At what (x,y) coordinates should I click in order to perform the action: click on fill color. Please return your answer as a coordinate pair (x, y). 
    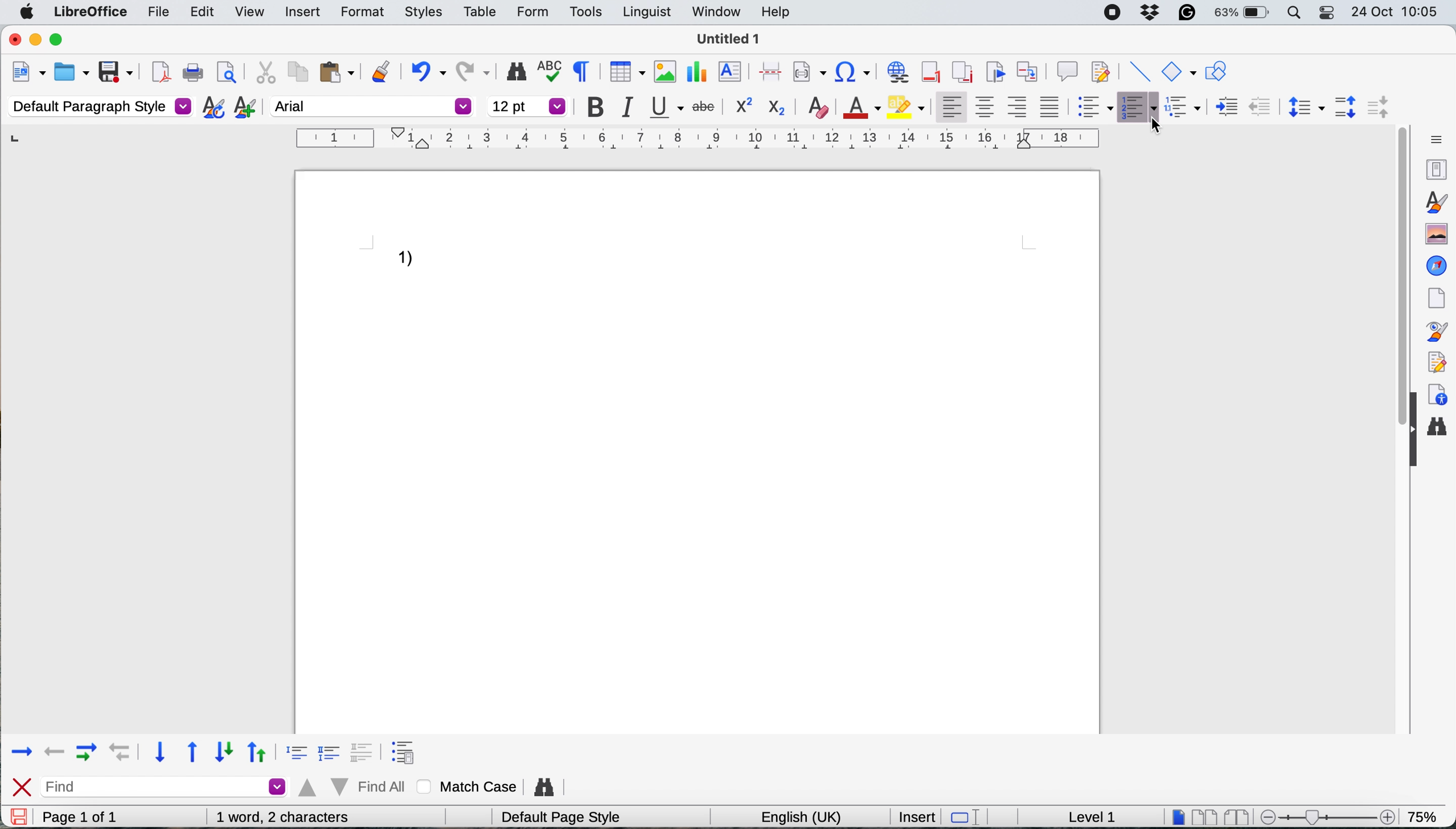
    Looking at the image, I should click on (906, 106).